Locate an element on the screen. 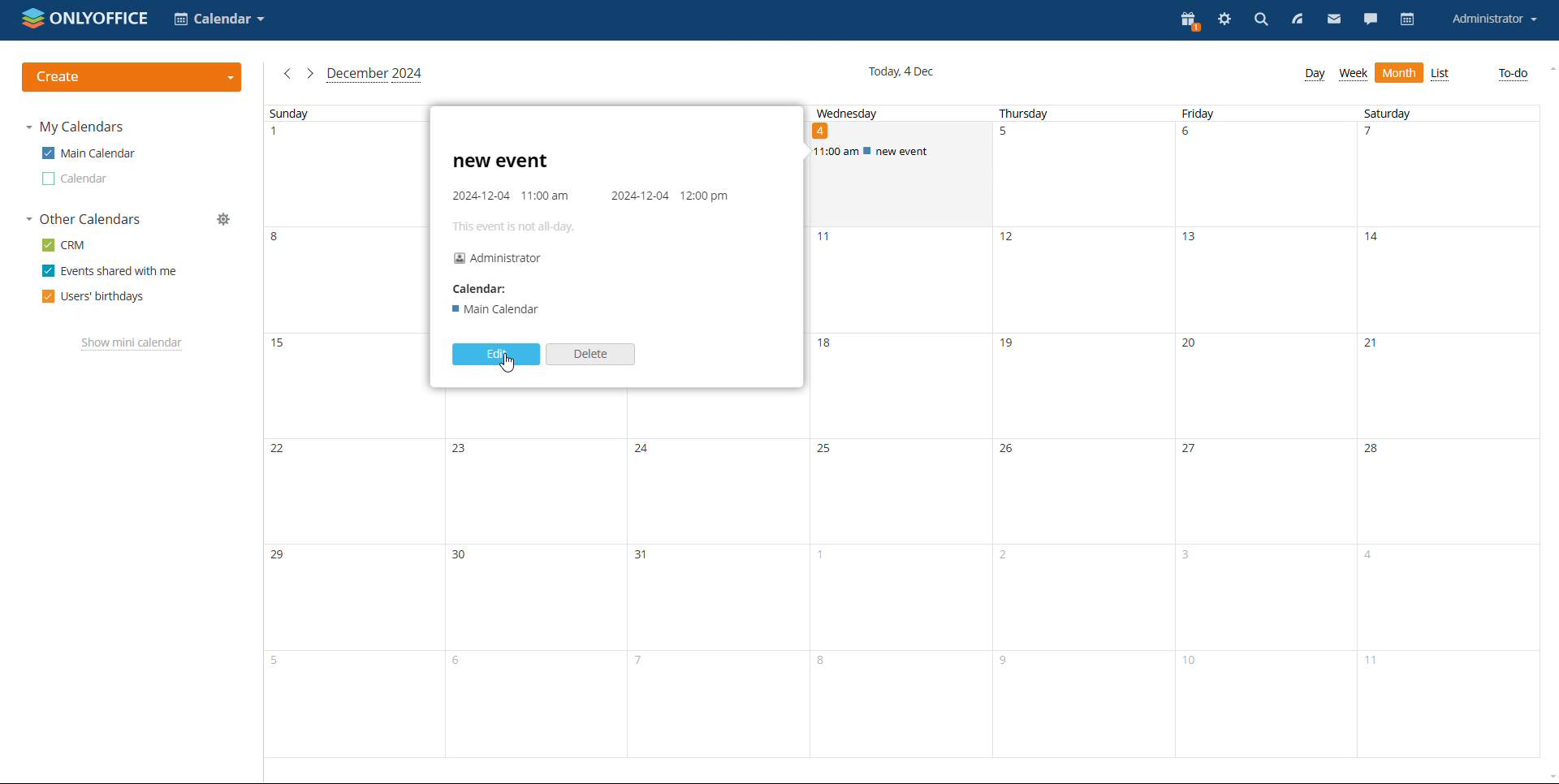 This screenshot has height=784, width=1559. search is located at coordinates (1260, 21).